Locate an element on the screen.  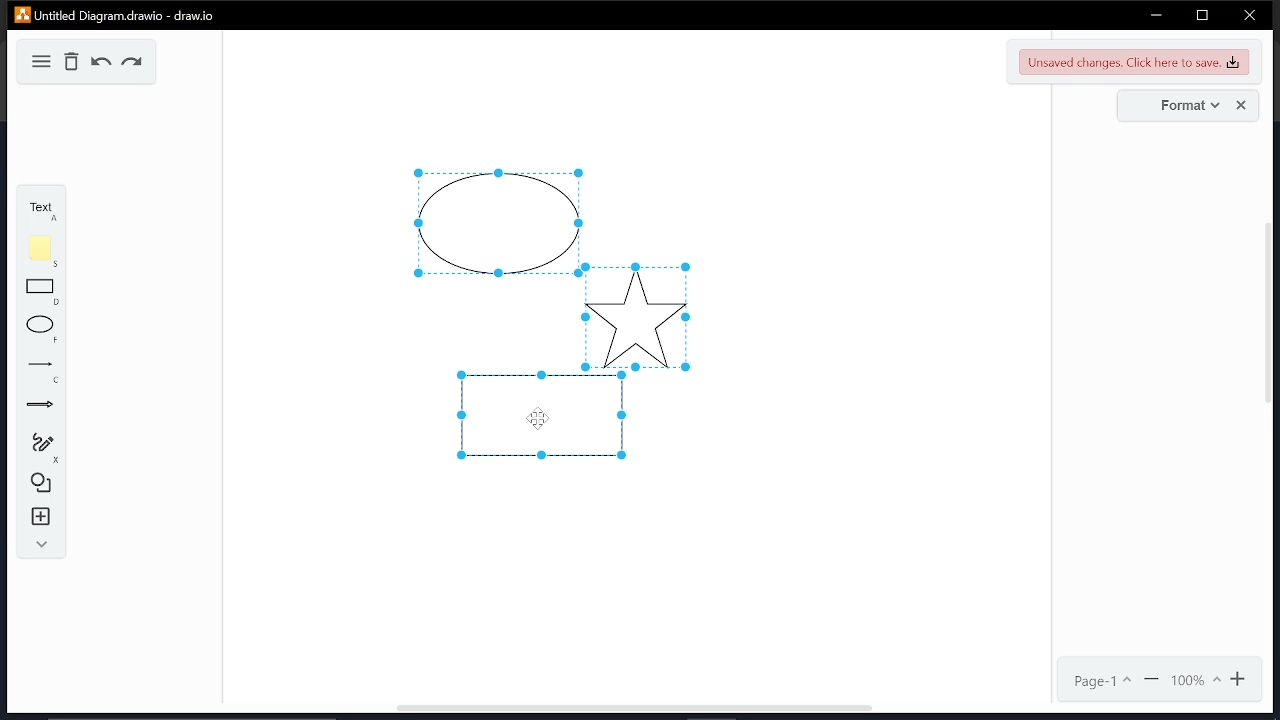
vertical scrollbar is located at coordinates (1272, 320).